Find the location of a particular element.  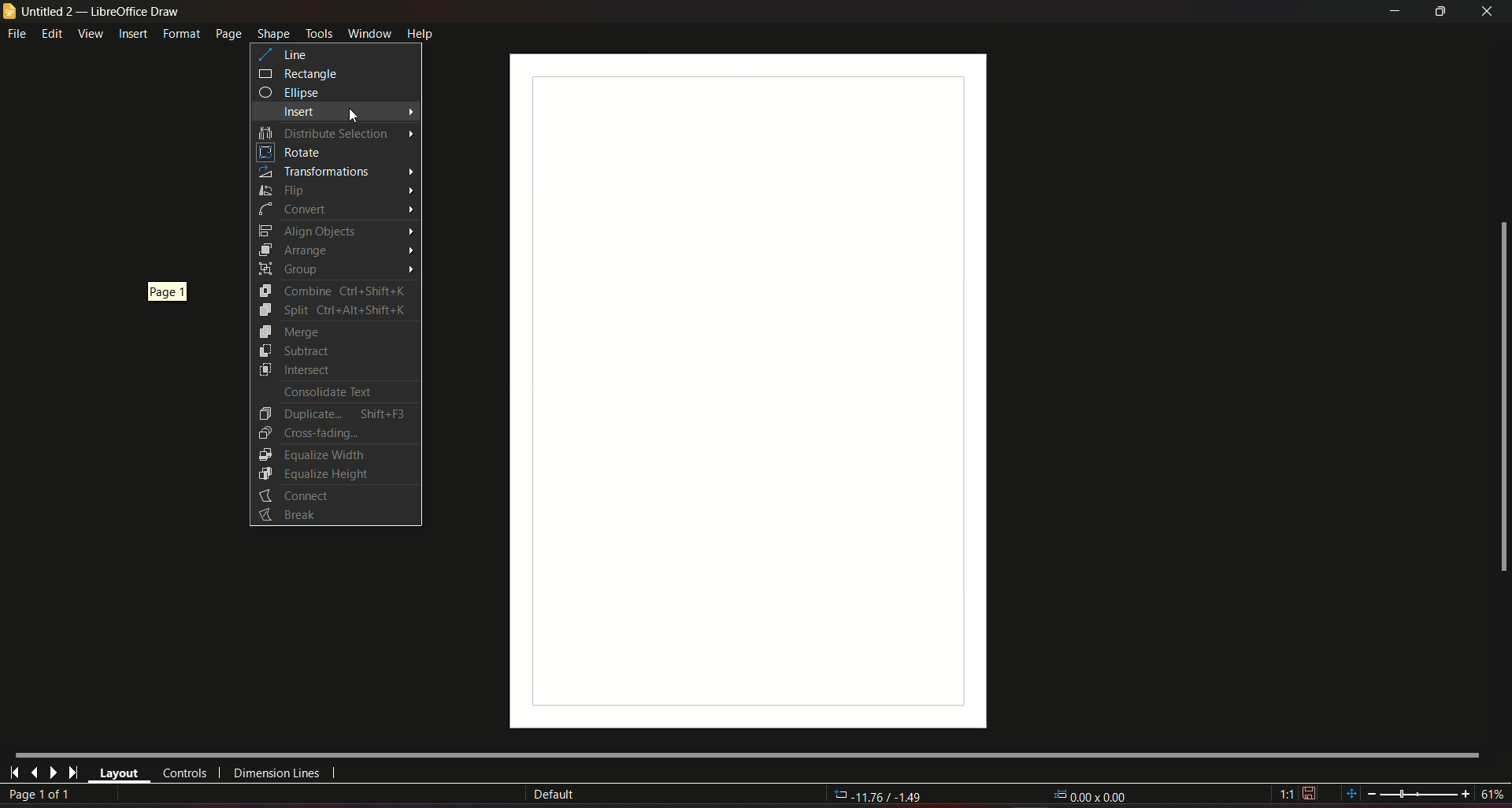

Distribute selection is located at coordinates (325, 133).